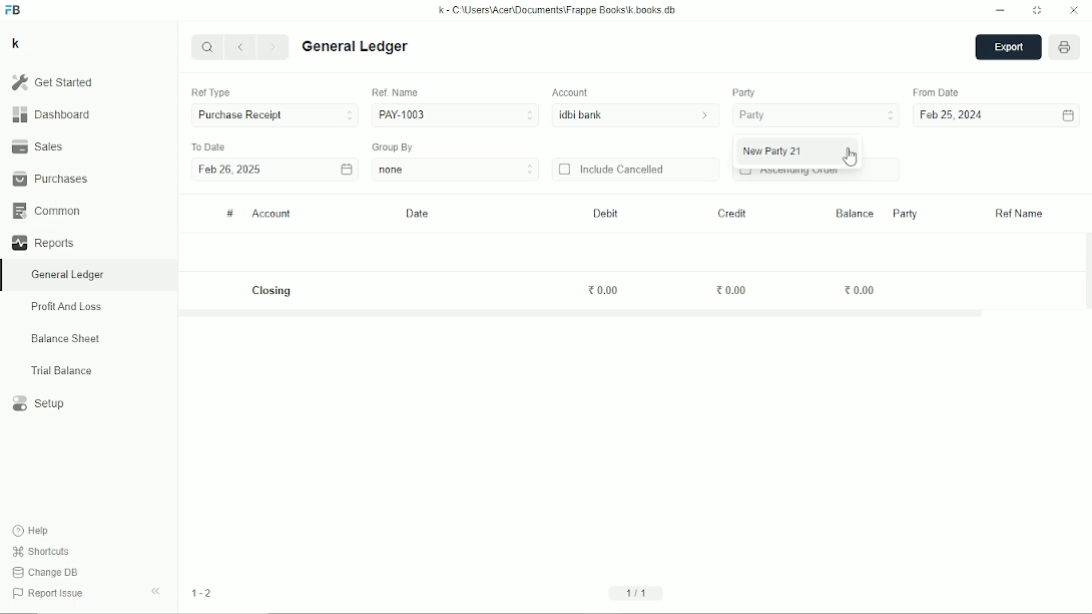 Image resolution: width=1092 pixels, height=614 pixels. Describe the element at coordinates (582, 314) in the screenshot. I see `Horizontal scrollbar` at that location.